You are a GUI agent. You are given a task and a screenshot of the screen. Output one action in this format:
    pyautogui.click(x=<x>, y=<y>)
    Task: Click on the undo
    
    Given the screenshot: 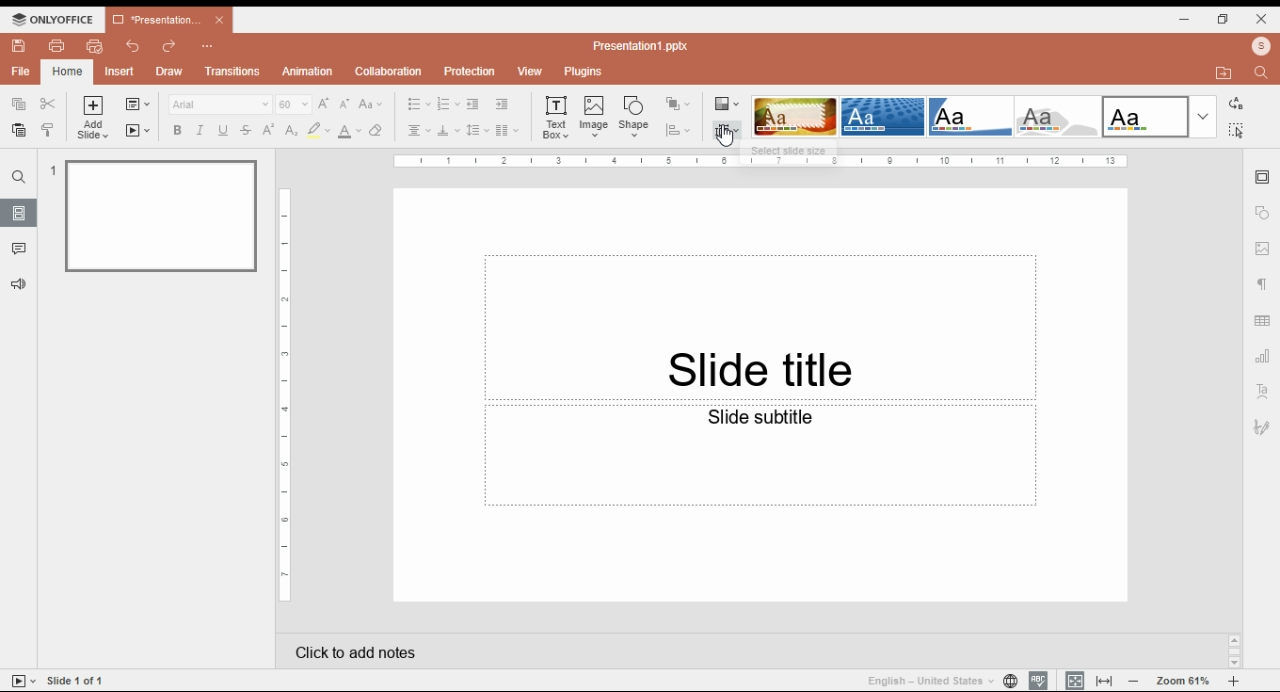 What is the action you would take?
    pyautogui.click(x=134, y=46)
    